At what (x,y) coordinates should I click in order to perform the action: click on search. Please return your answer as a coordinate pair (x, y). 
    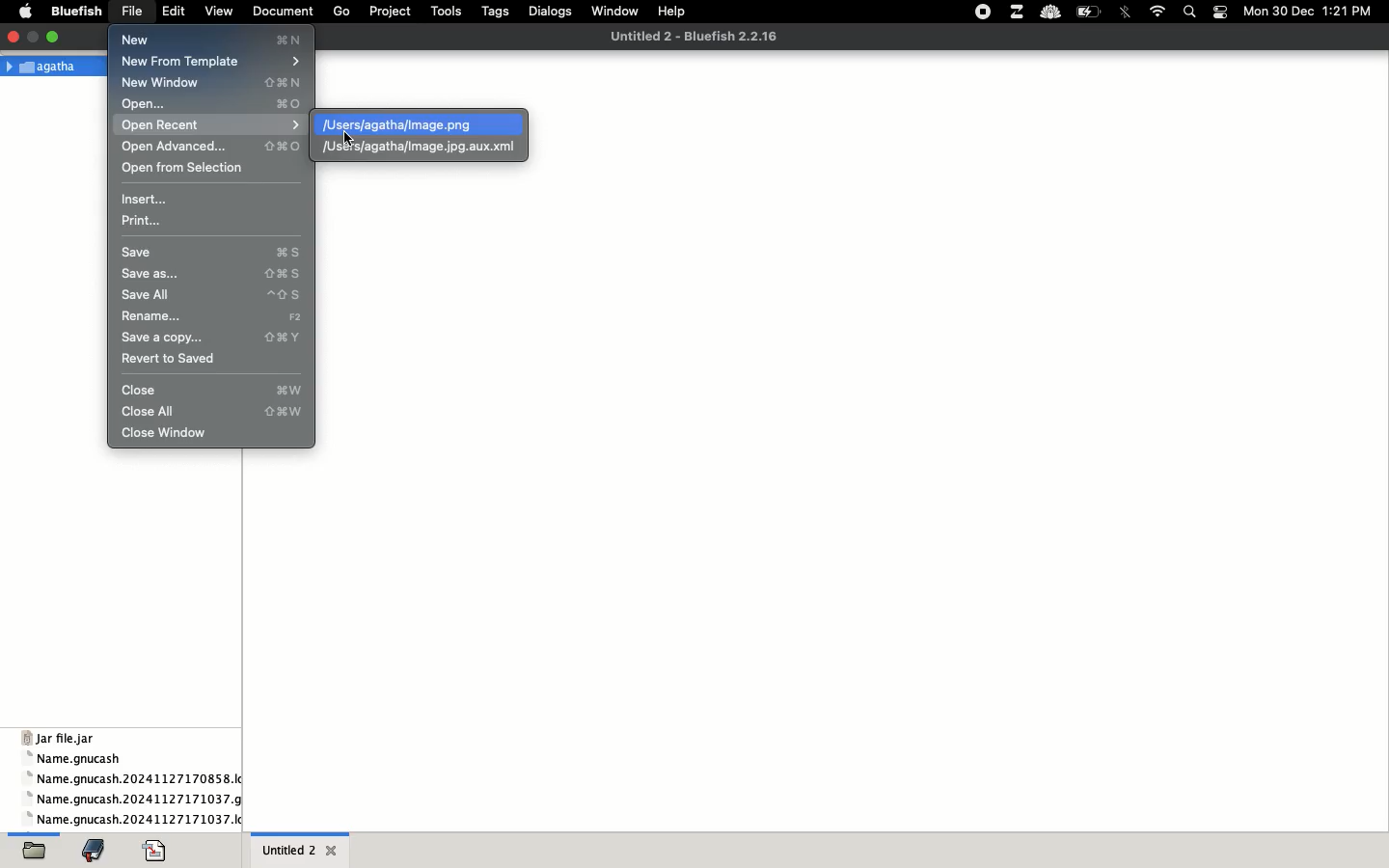
    Looking at the image, I should click on (1189, 12).